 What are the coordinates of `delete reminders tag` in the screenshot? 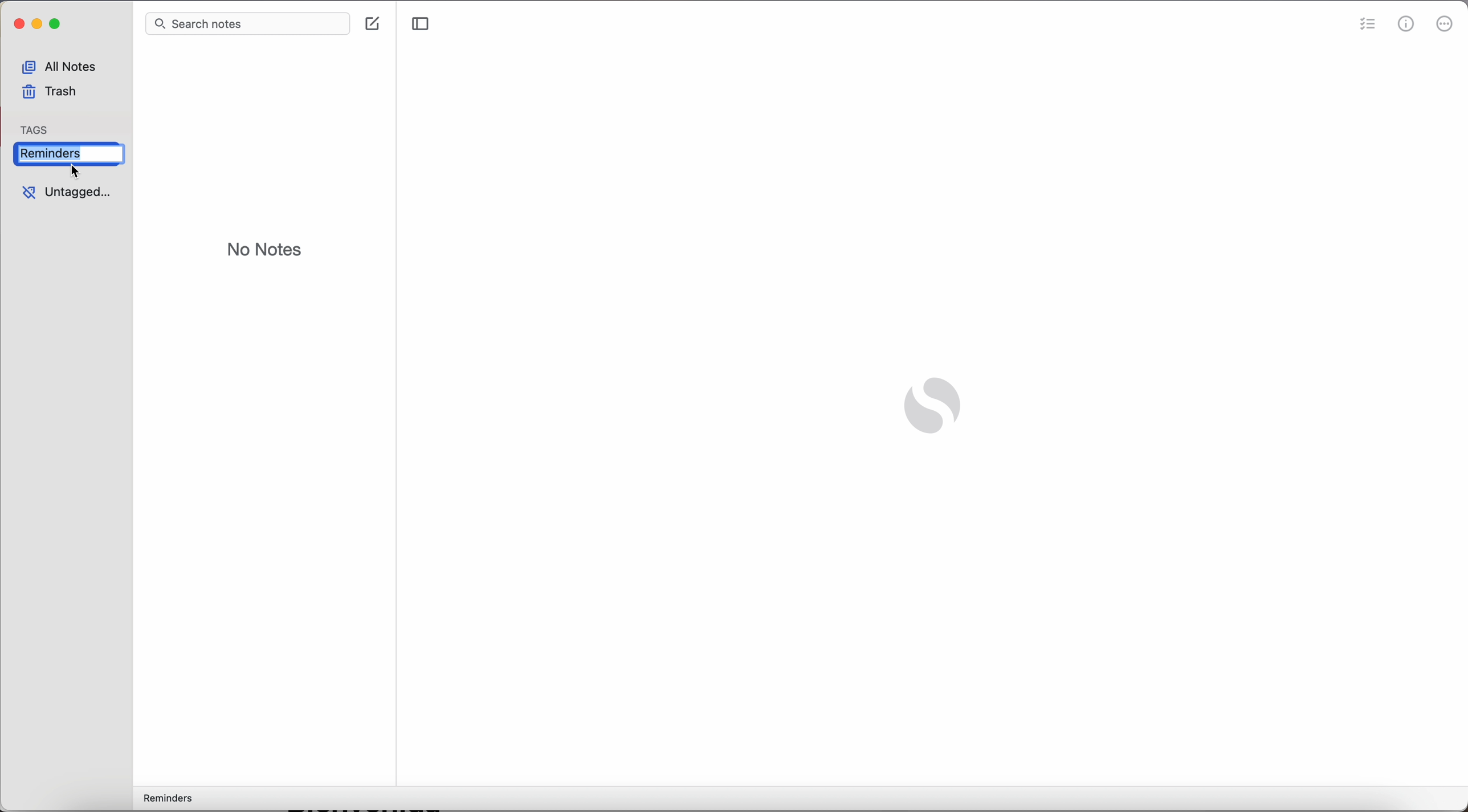 It's located at (50, 152).